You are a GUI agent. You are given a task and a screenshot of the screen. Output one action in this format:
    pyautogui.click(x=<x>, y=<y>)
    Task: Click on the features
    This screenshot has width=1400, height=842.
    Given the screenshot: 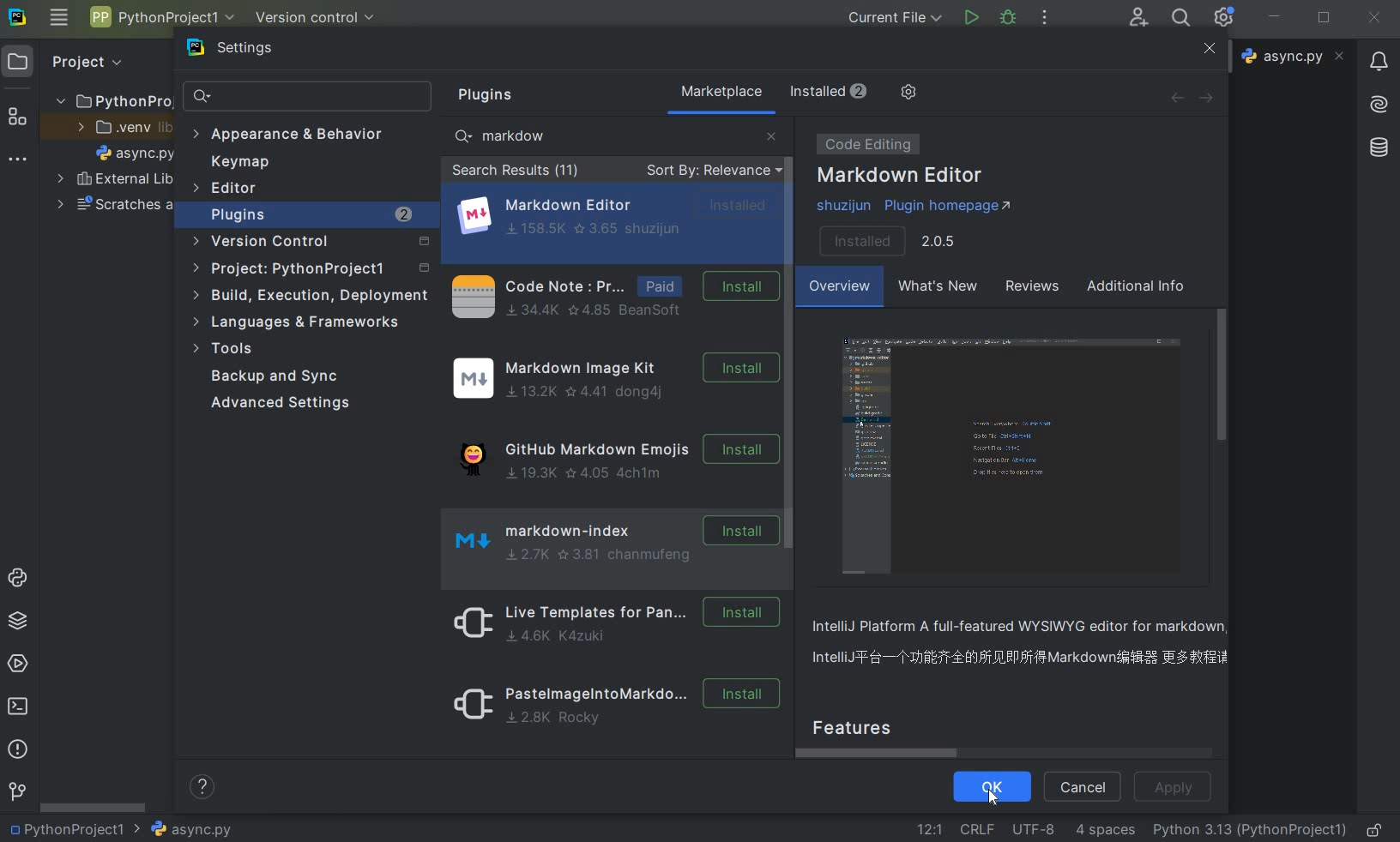 What is the action you would take?
    pyautogui.click(x=868, y=725)
    